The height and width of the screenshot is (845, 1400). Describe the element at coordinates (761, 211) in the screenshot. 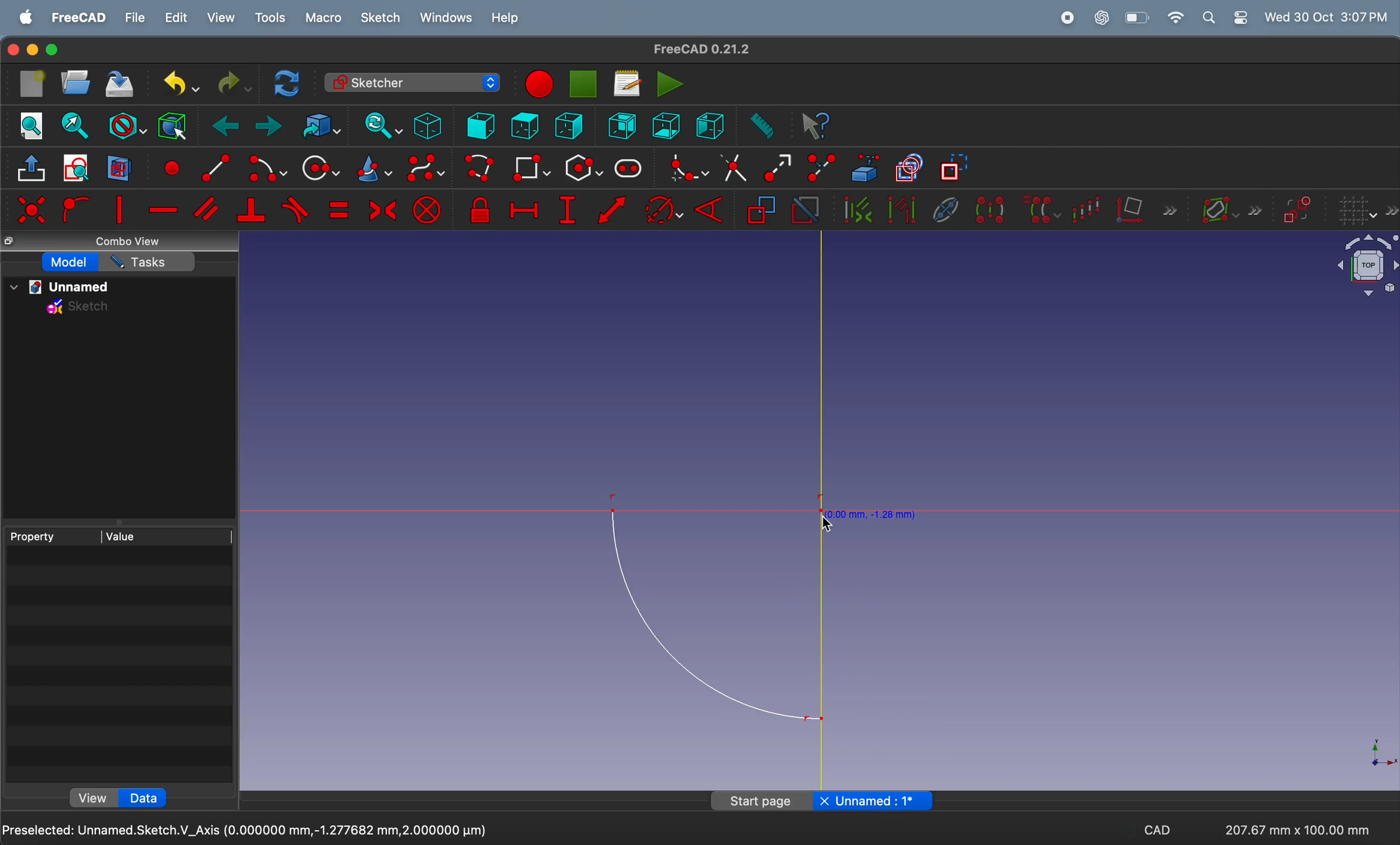

I see `reference constarint` at that location.